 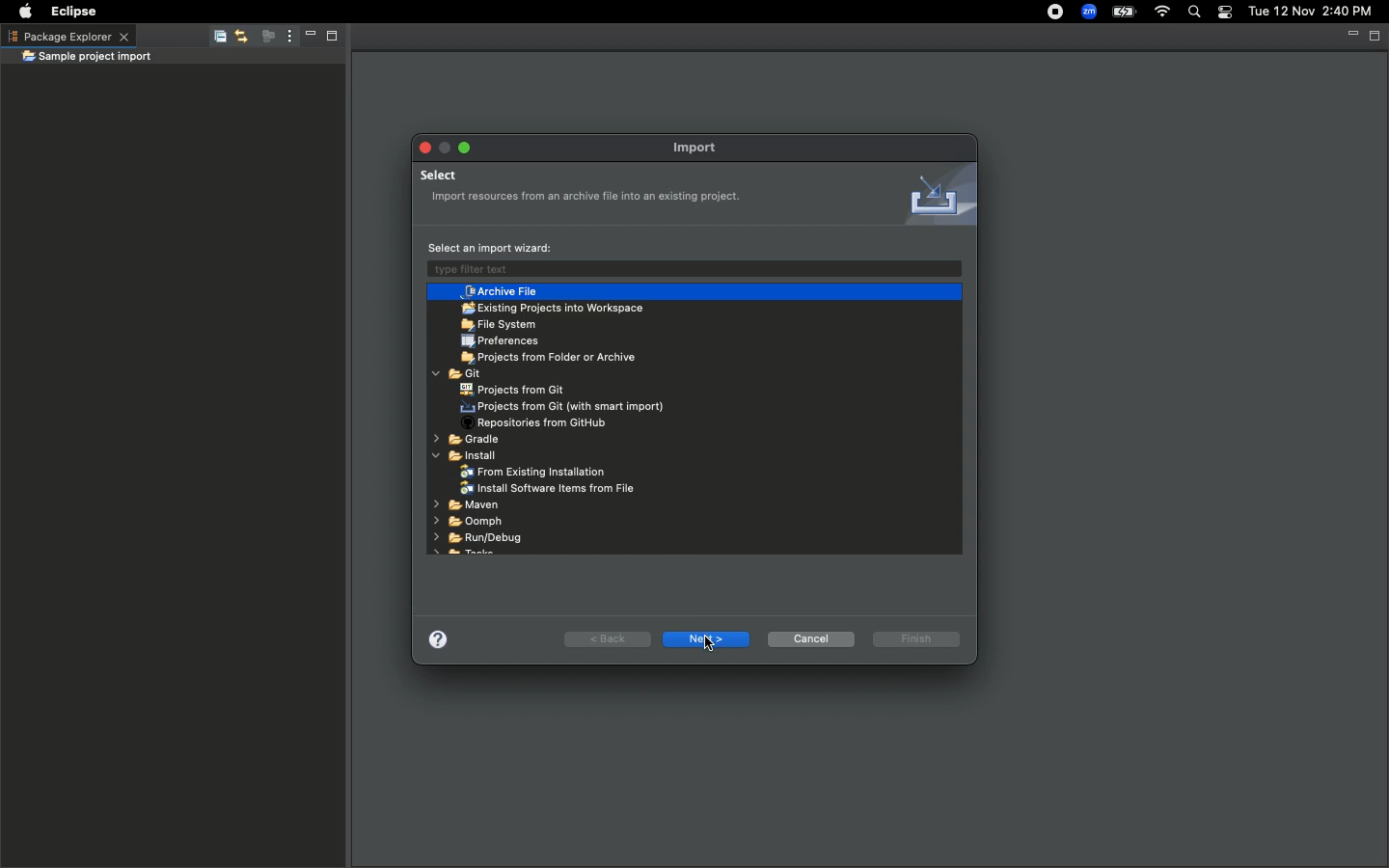 I want to click on Archive file, so click(x=501, y=292).